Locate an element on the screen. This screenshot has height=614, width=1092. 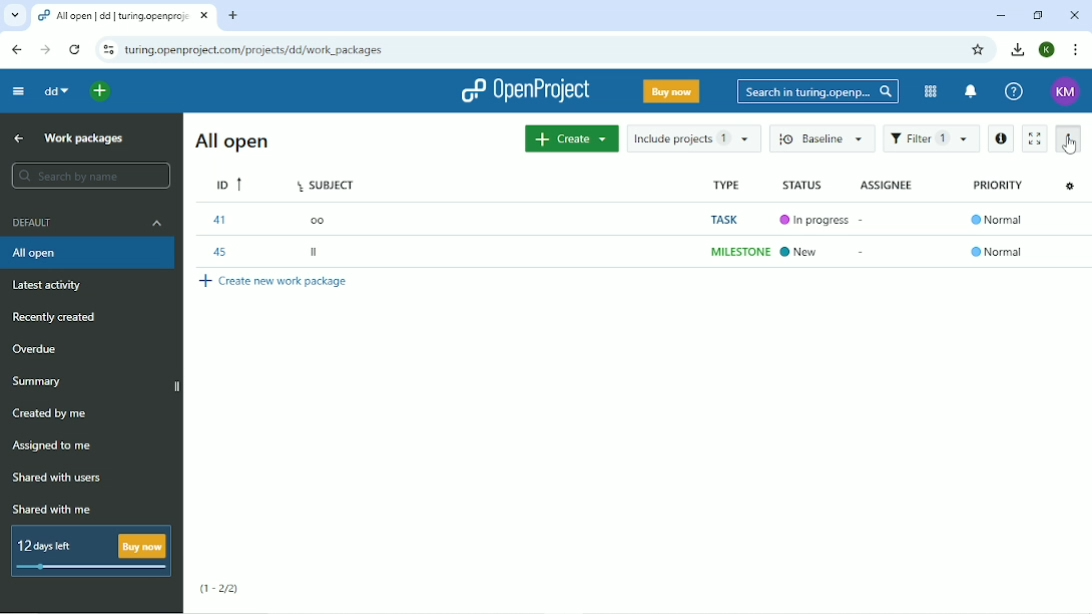
Created by me is located at coordinates (51, 414).